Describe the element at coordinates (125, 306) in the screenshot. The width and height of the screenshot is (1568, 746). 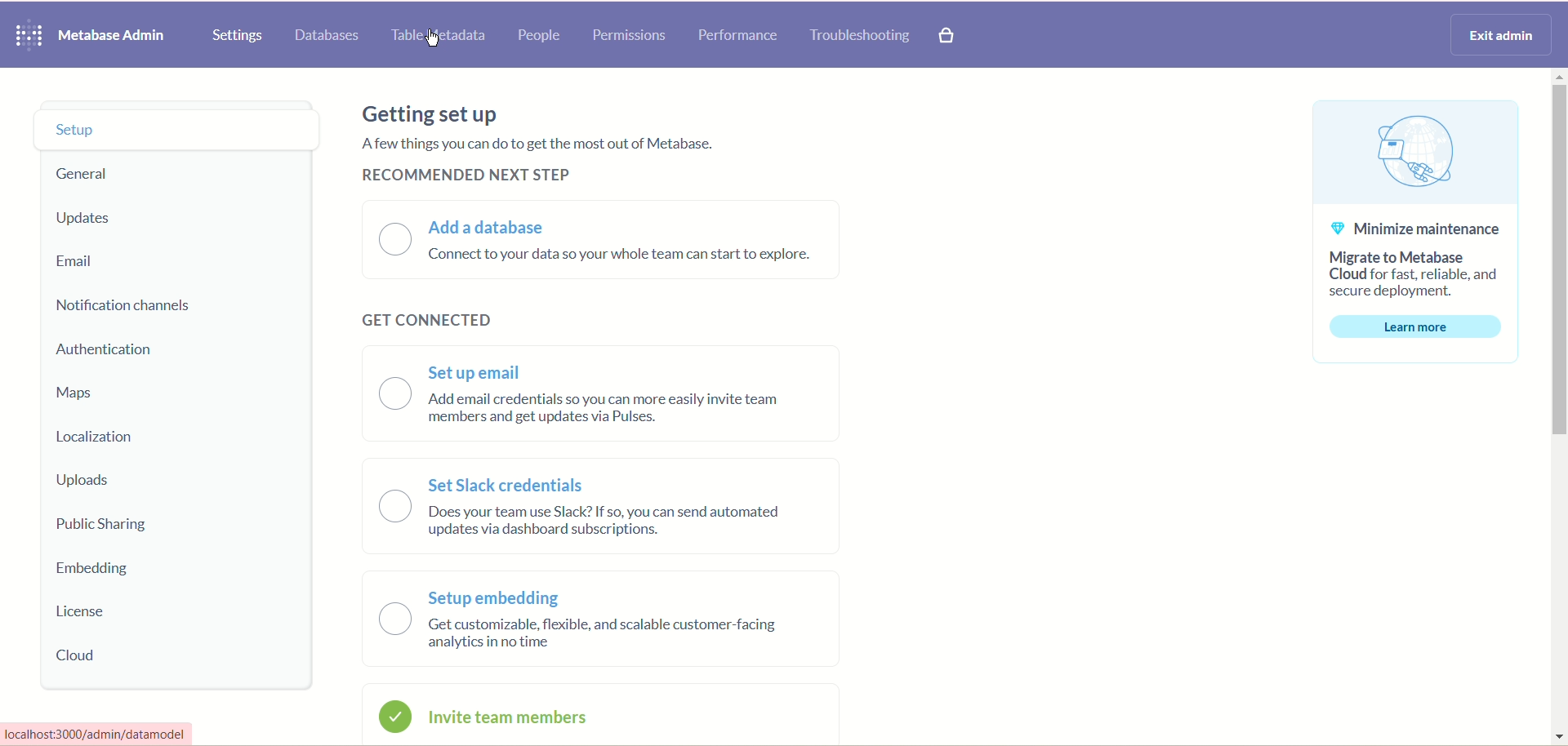
I see `notification channels` at that location.